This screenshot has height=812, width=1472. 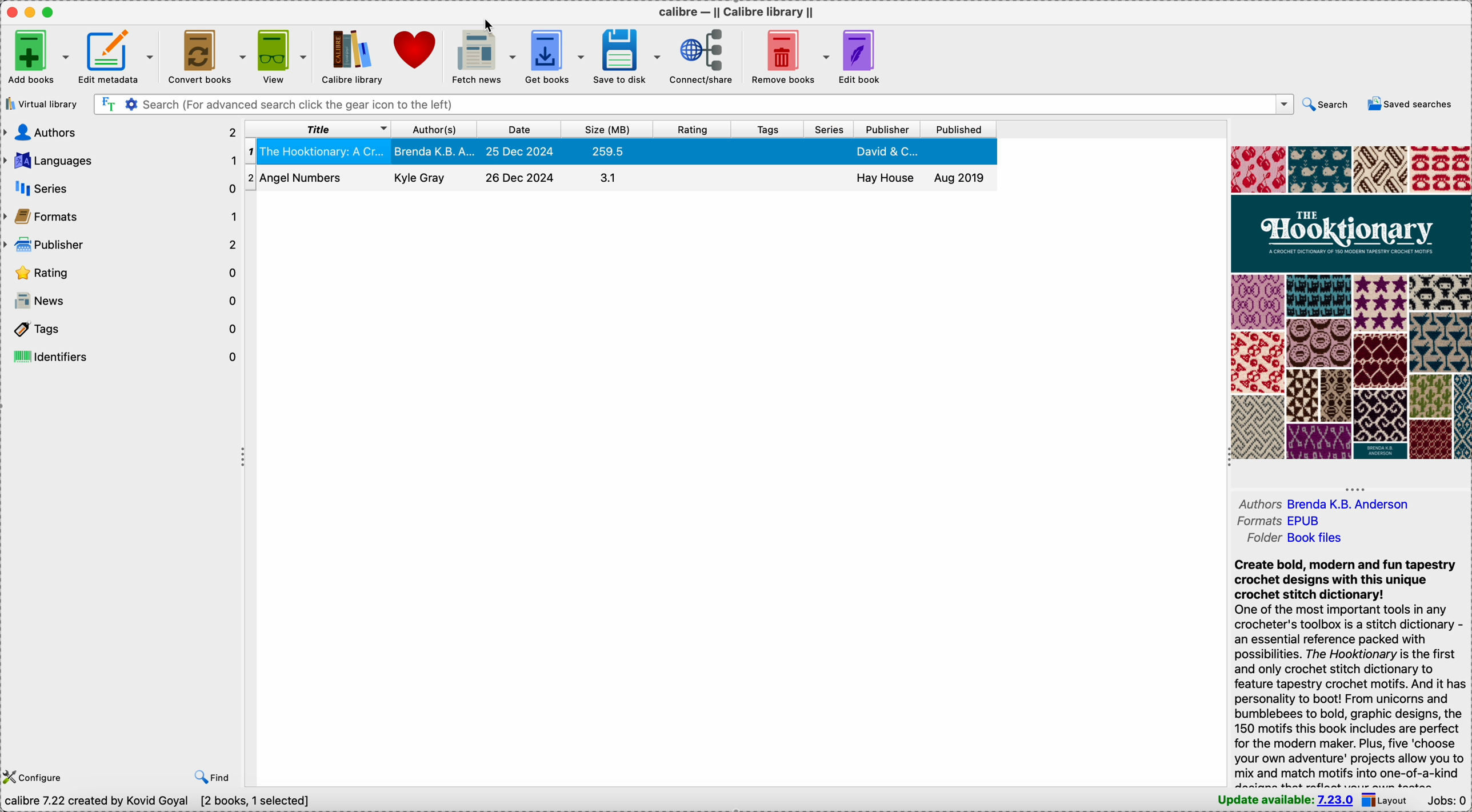 What do you see at coordinates (121, 217) in the screenshot?
I see `formats` at bounding box center [121, 217].